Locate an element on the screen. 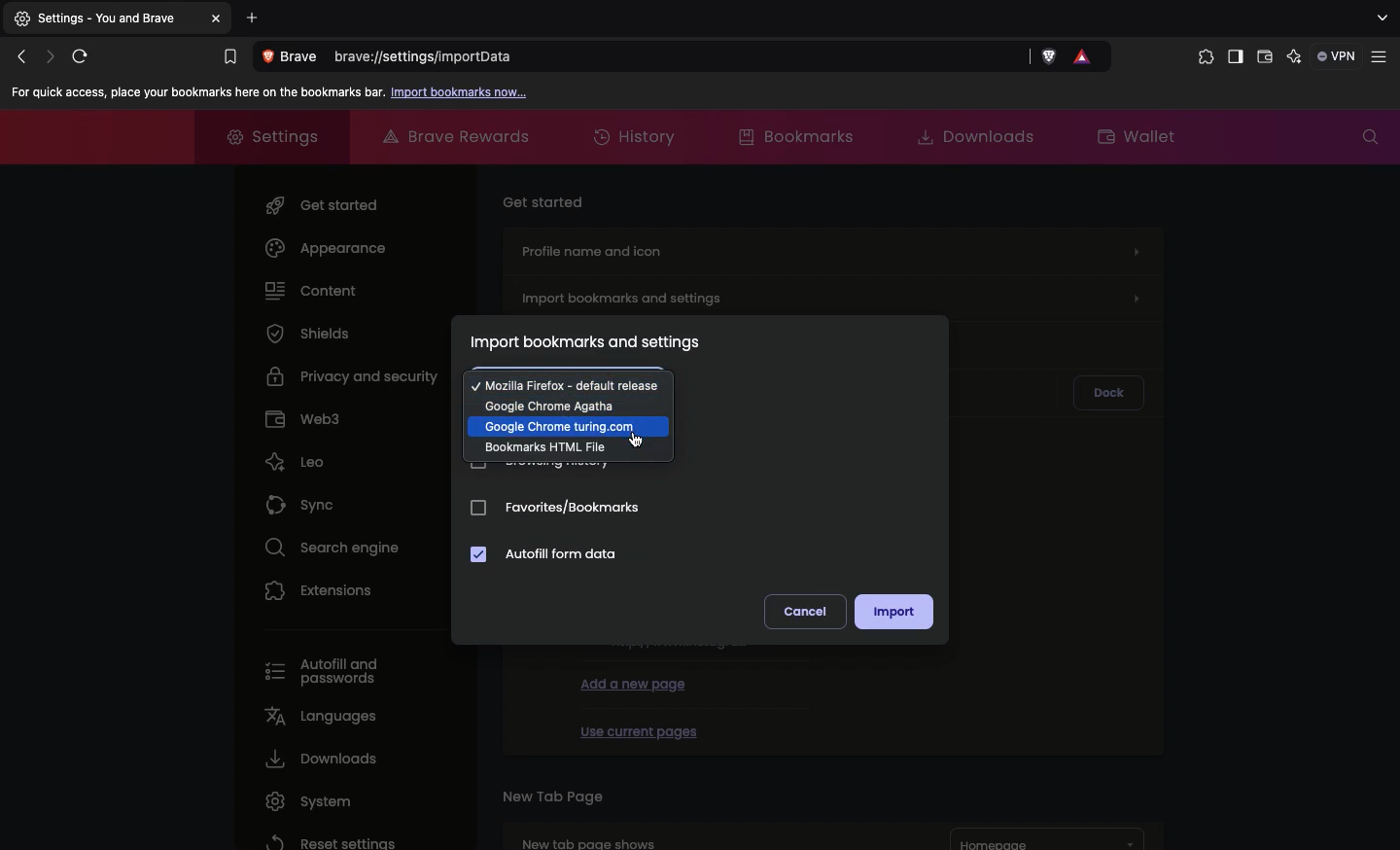 This screenshot has height=850, width=1400. Languages is located at coordinates (318, 715).